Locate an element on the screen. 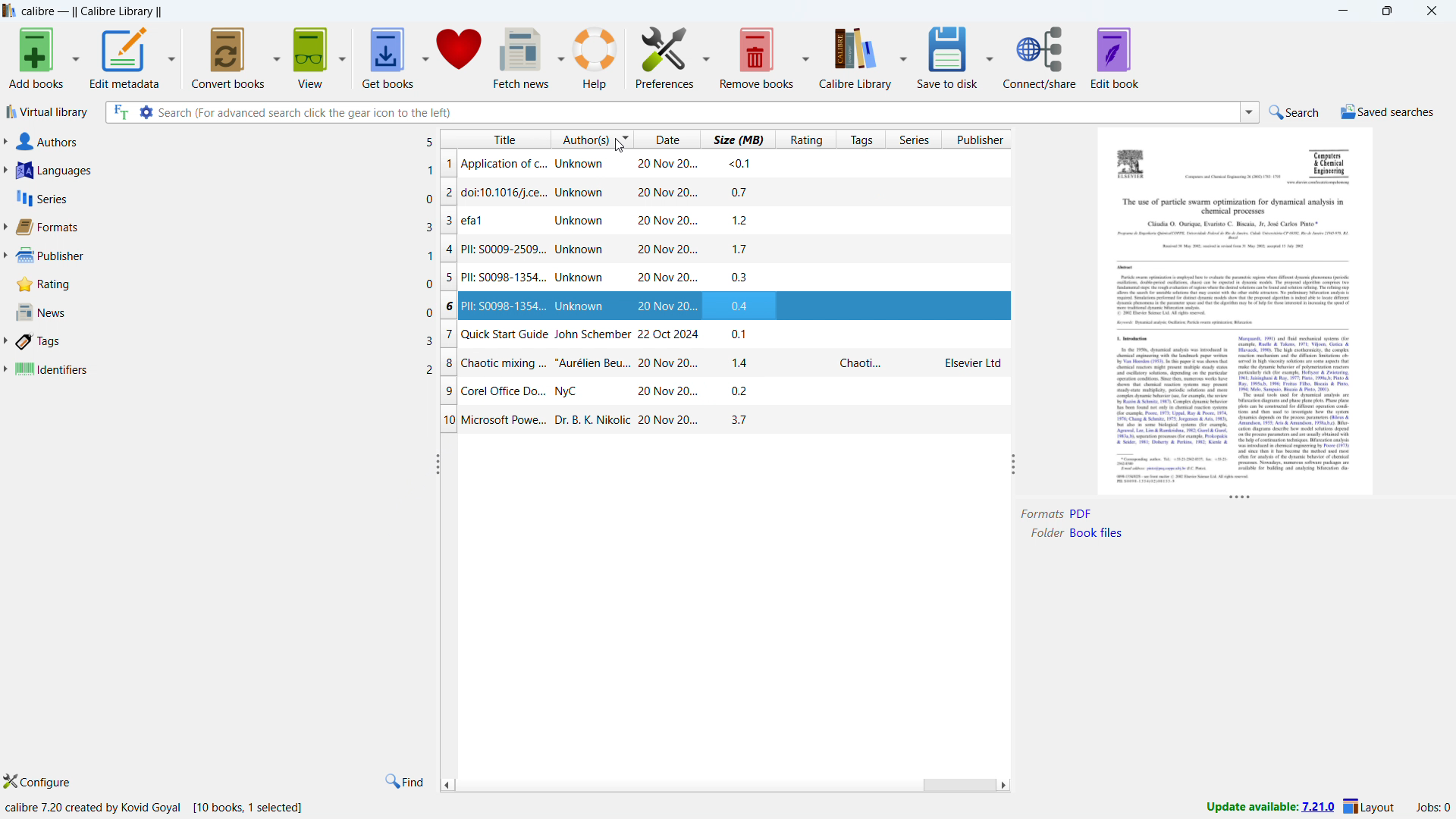 The width and height of the screenshot is (1456, 819). Chaoti... is located at coordinates (864, 363).